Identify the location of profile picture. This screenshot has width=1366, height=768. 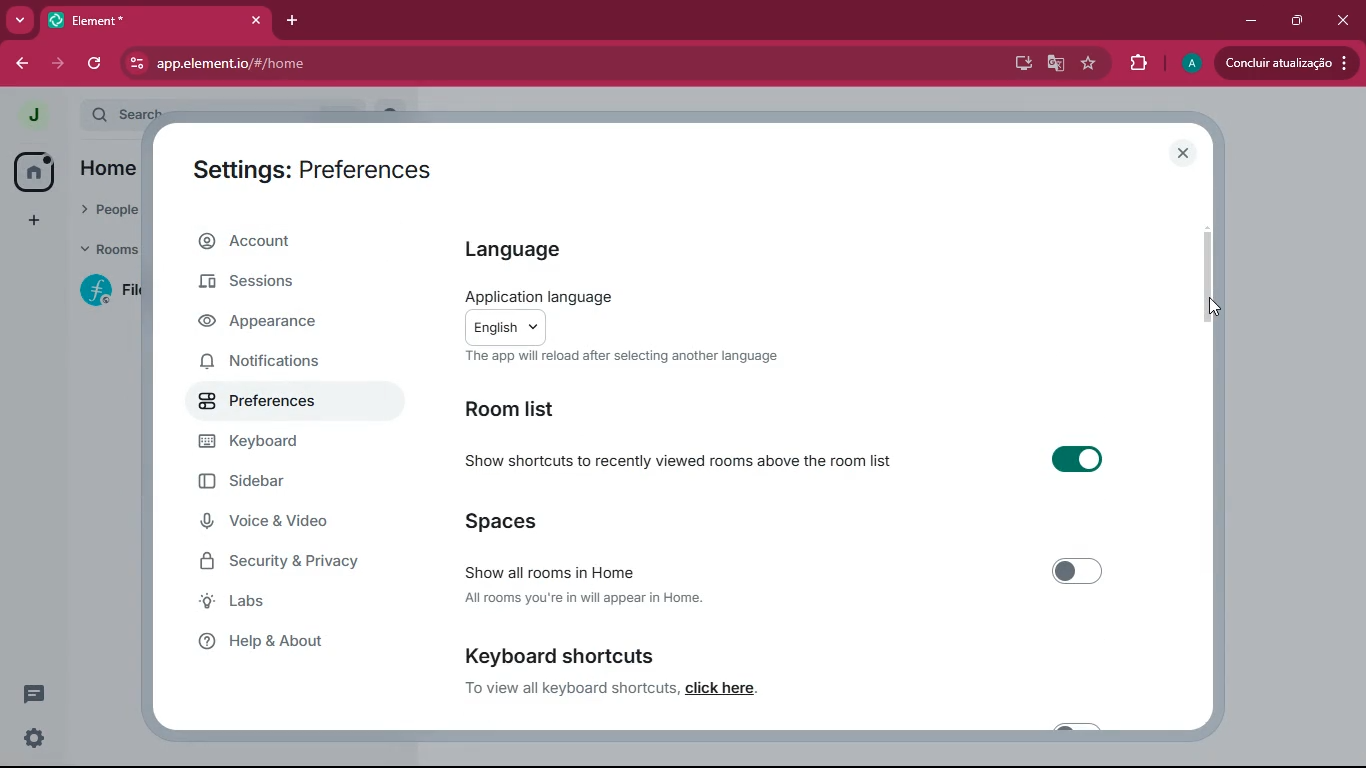
(1191, 65).